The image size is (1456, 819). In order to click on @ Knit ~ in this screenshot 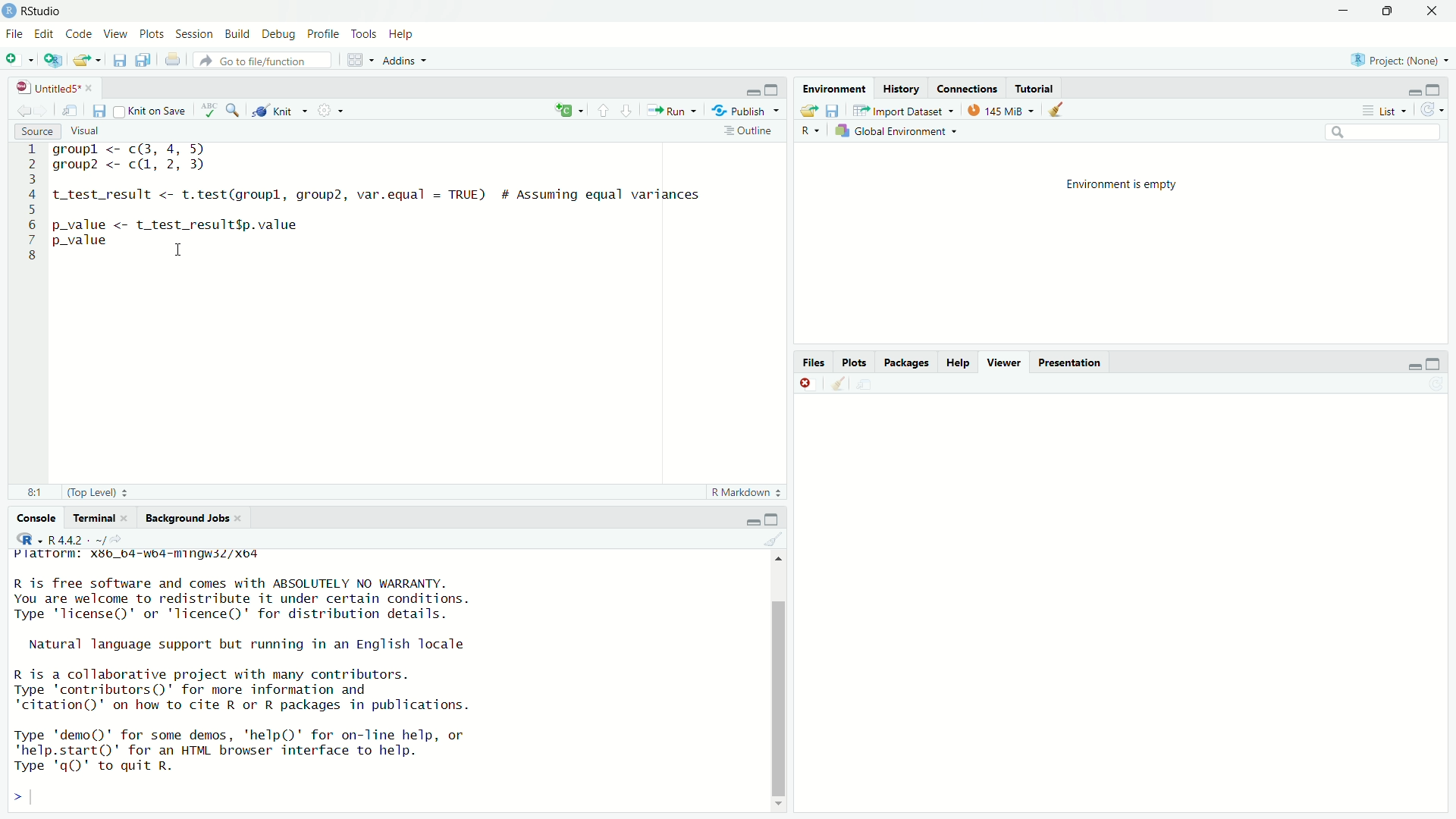, I will do `click(278, 111)`.